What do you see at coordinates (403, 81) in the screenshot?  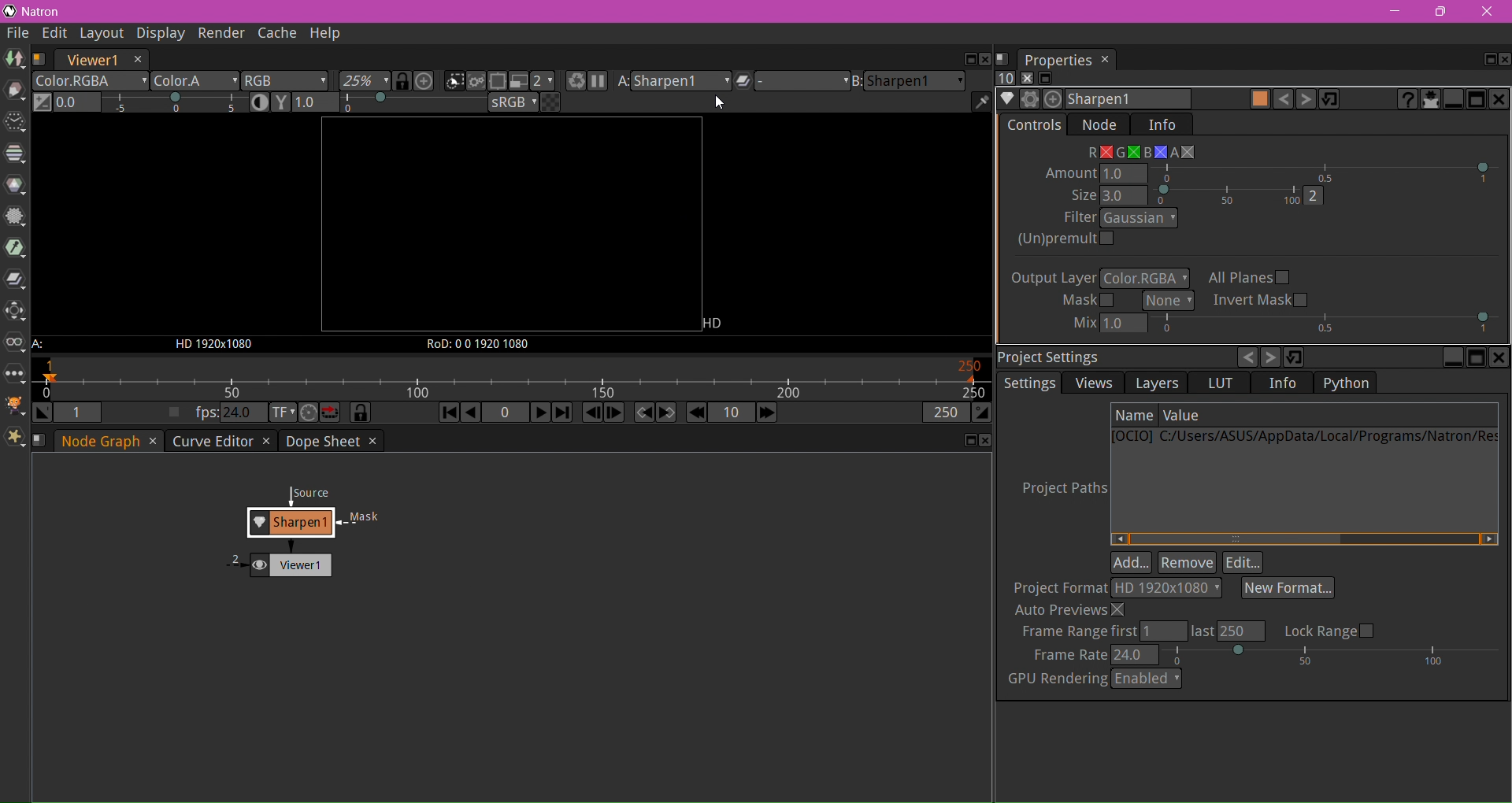 I see `When enabled, all the viewers will be synchronized to the sme portion of the image in the viewport` at bounding box center [403, 81].